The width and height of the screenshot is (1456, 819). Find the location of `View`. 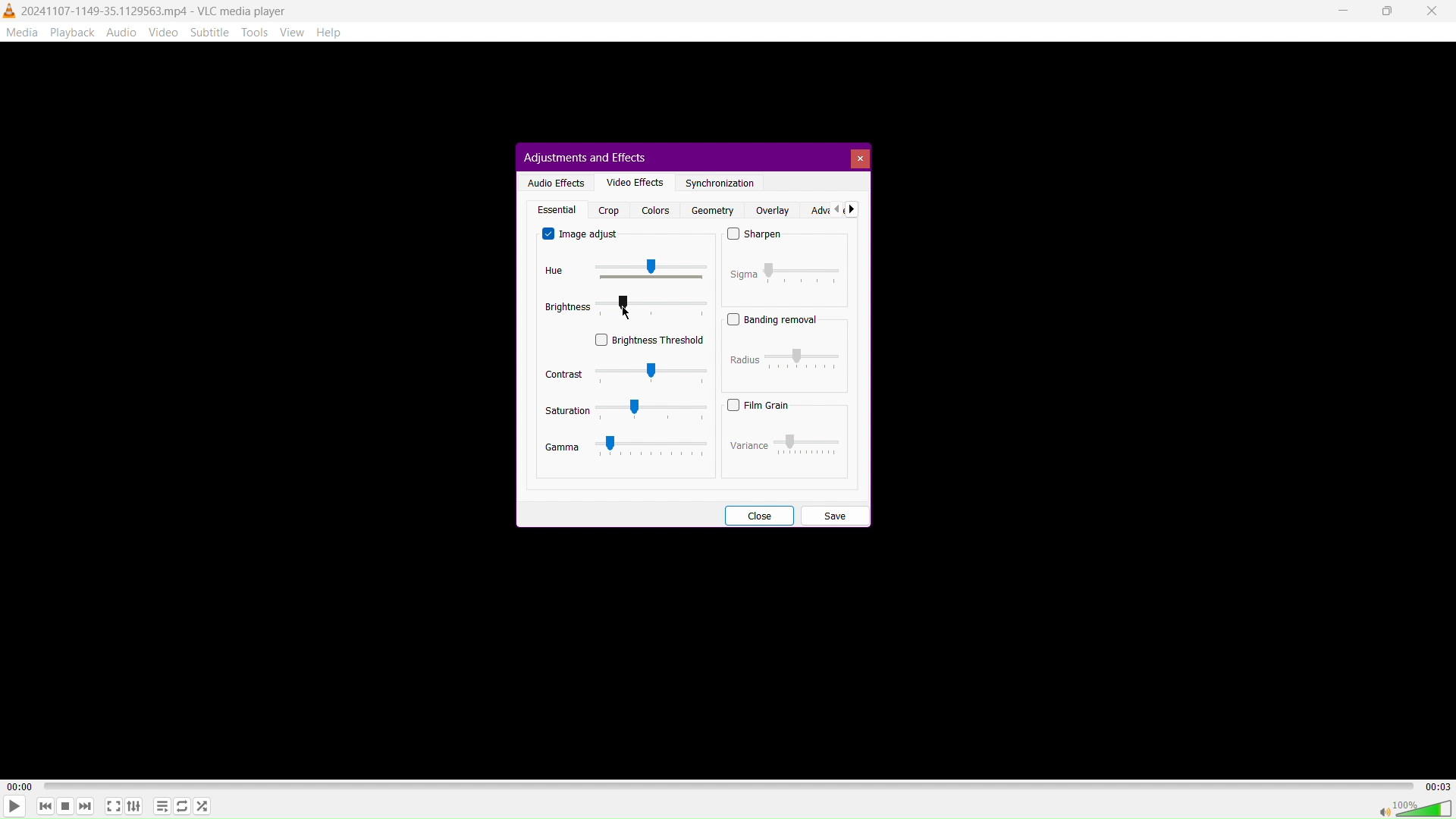

View is located at coordinates (297, 32).